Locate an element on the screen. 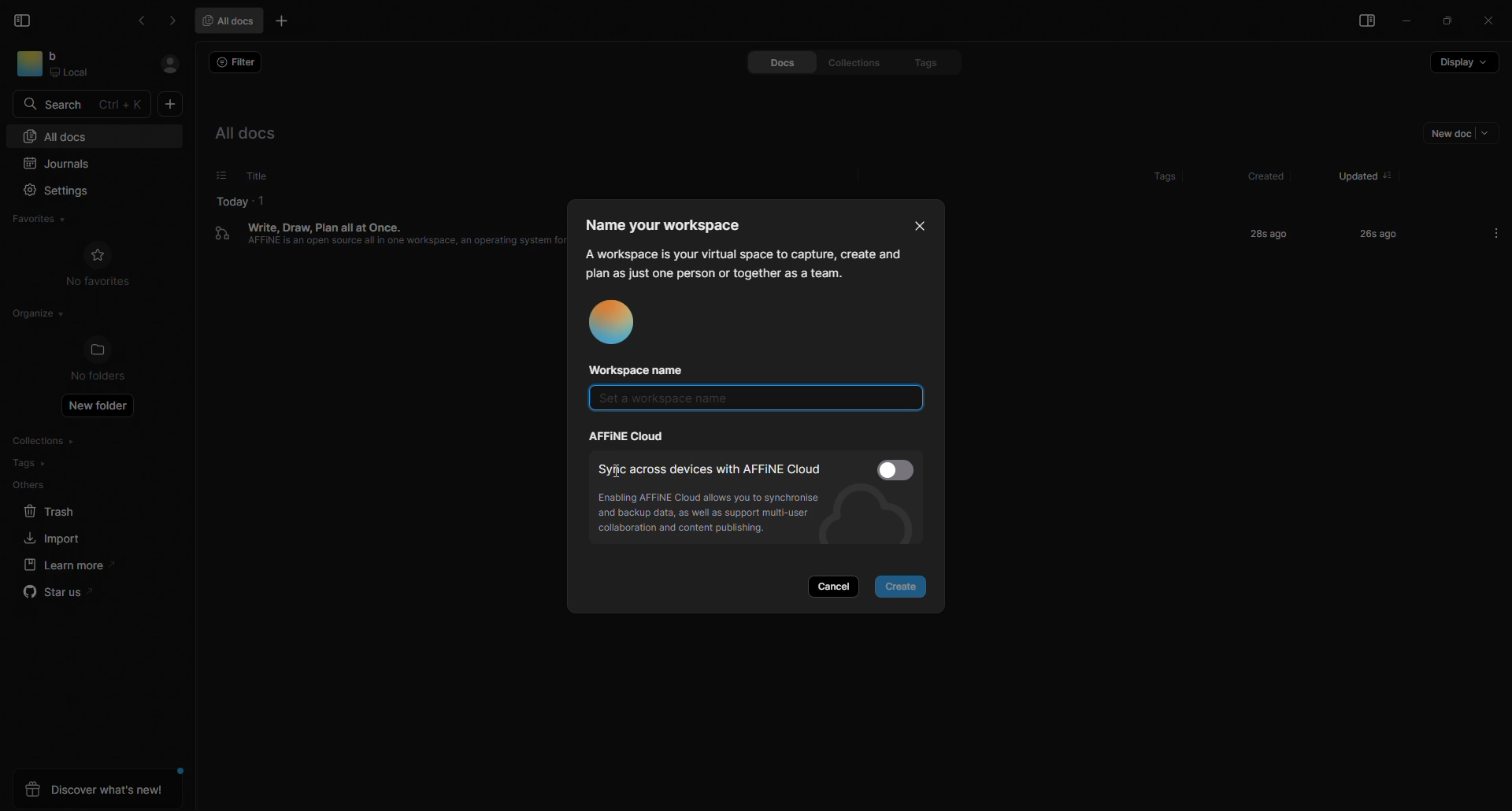 The image size is (1512, 811). type is located at coordinates (745, 402).